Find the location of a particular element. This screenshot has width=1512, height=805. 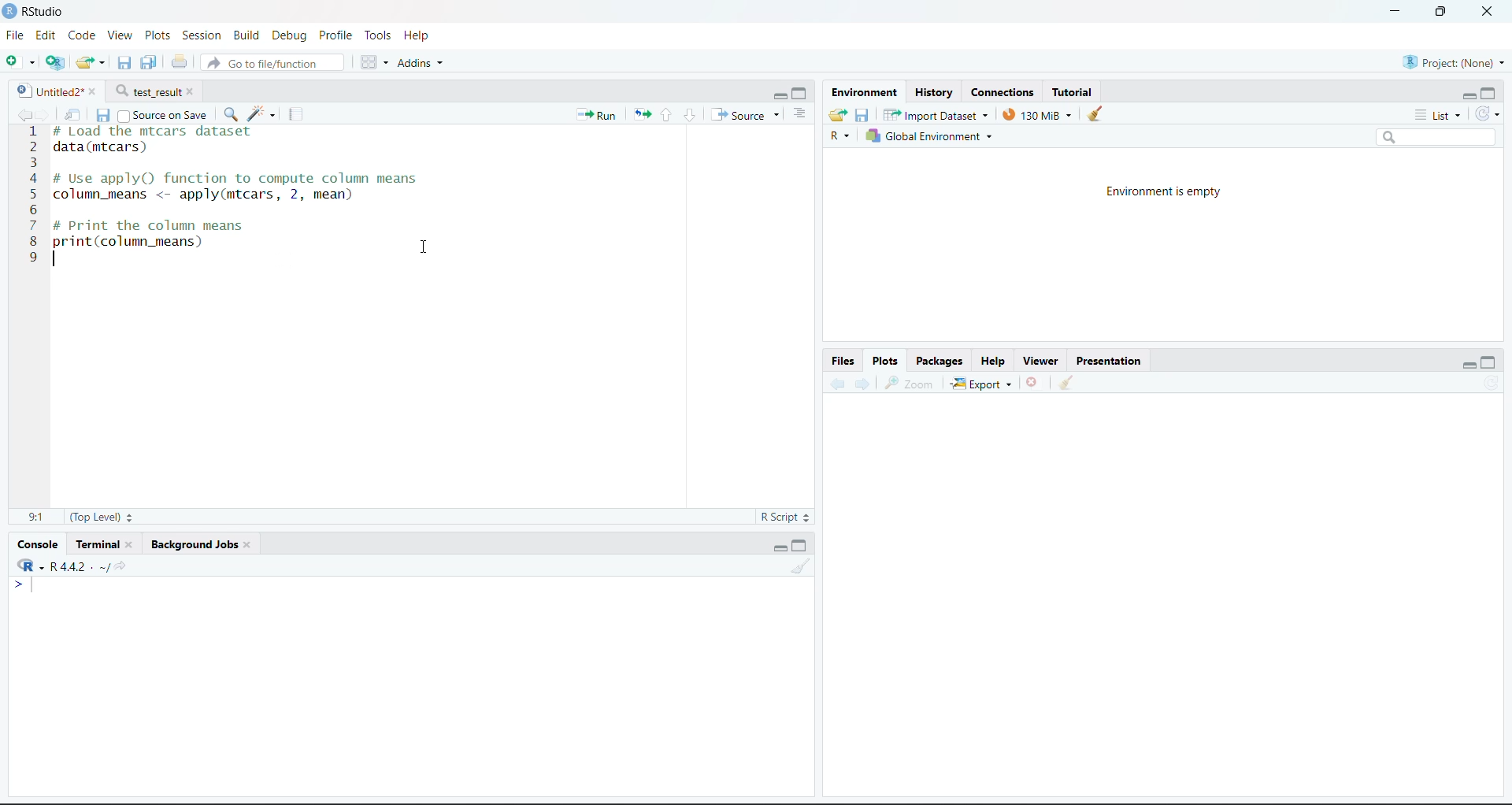

Session is located at coordinates (201, 34).